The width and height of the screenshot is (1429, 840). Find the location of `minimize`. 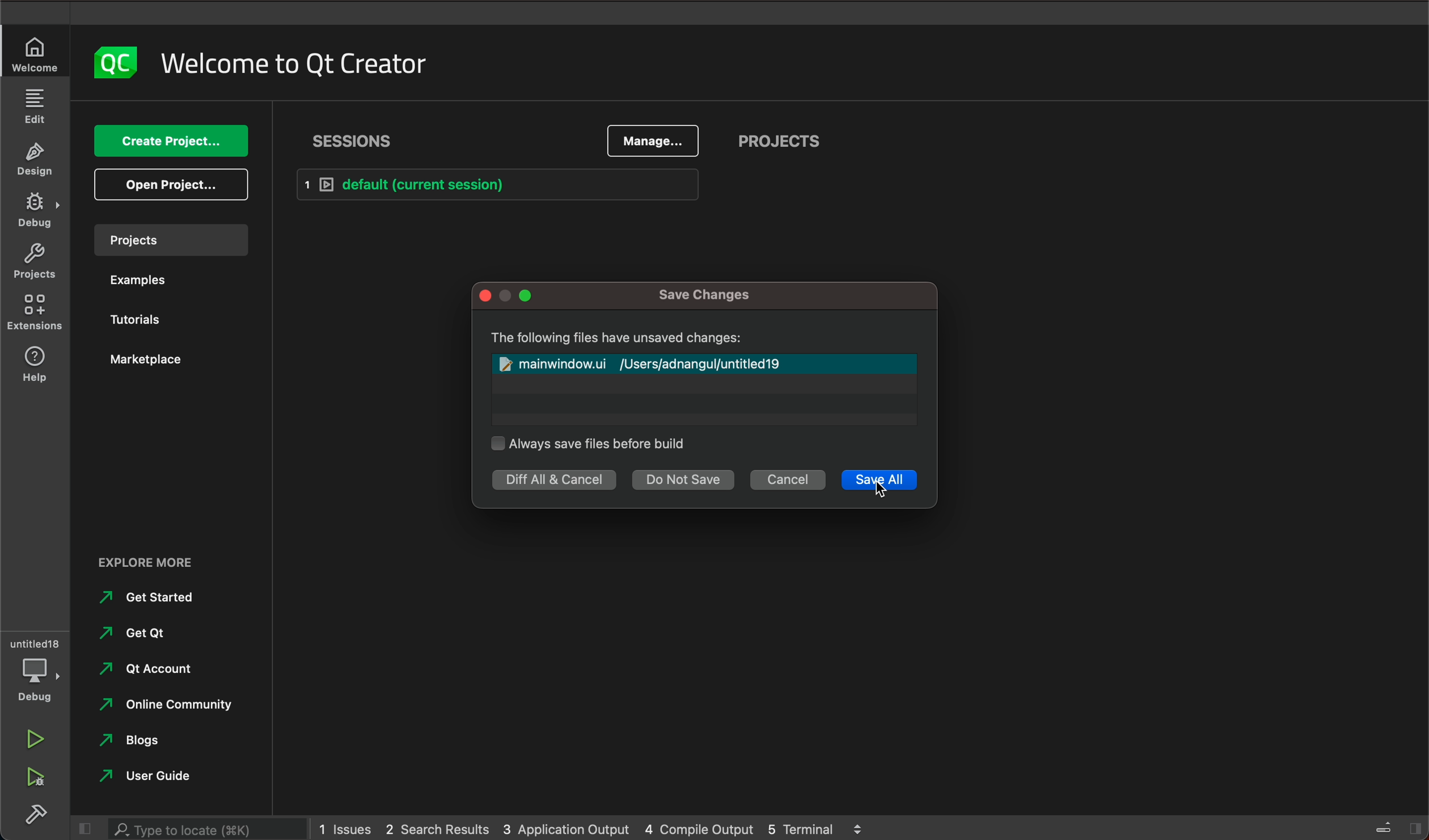

minimize is located at coordinates (505, 298).